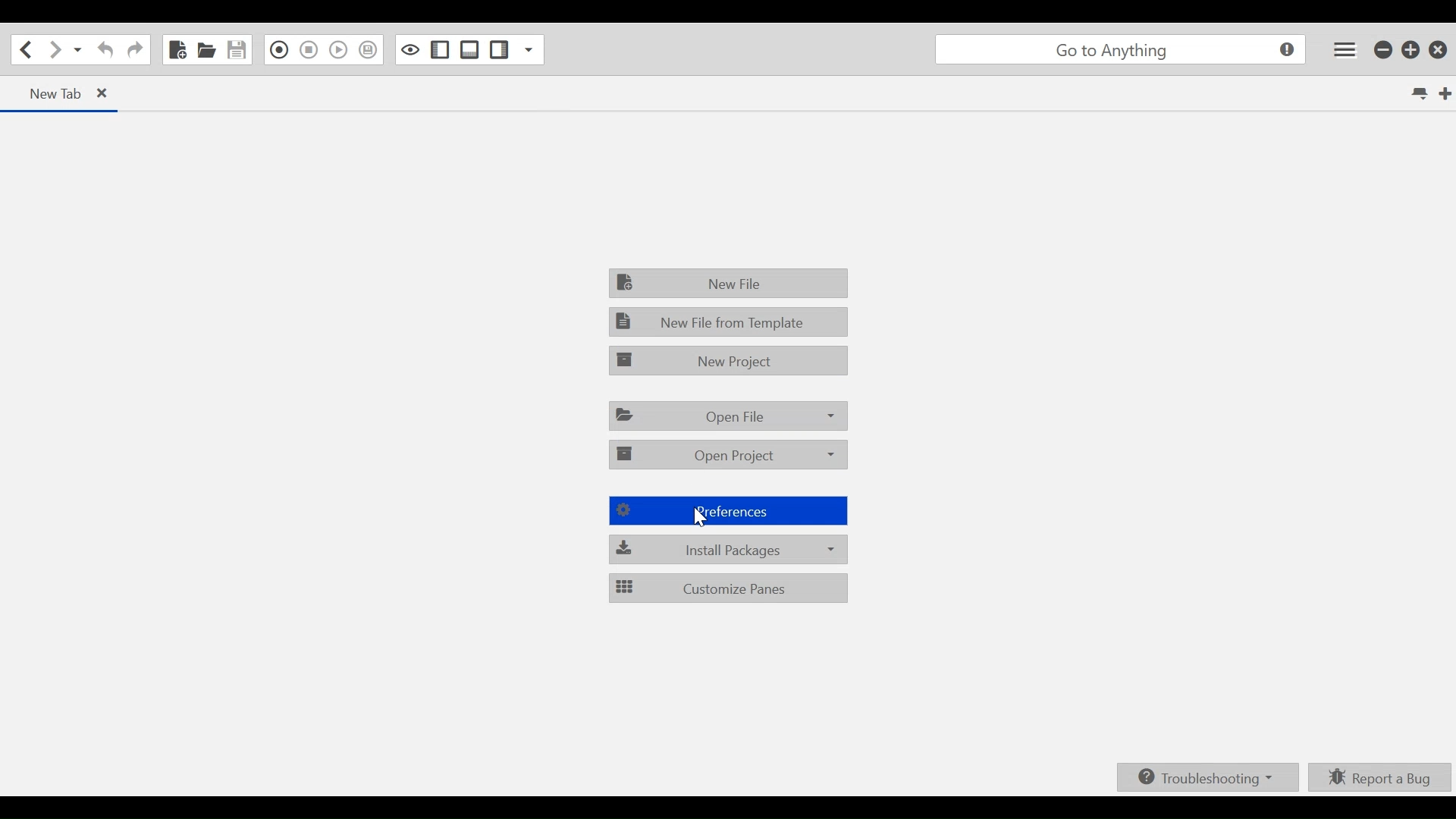 This screenshot has height=819, width=1456. What do you see at coordinates (1420, 92) in the screenshot?
I see `List all tabs` at bounding box center [1420, 92].